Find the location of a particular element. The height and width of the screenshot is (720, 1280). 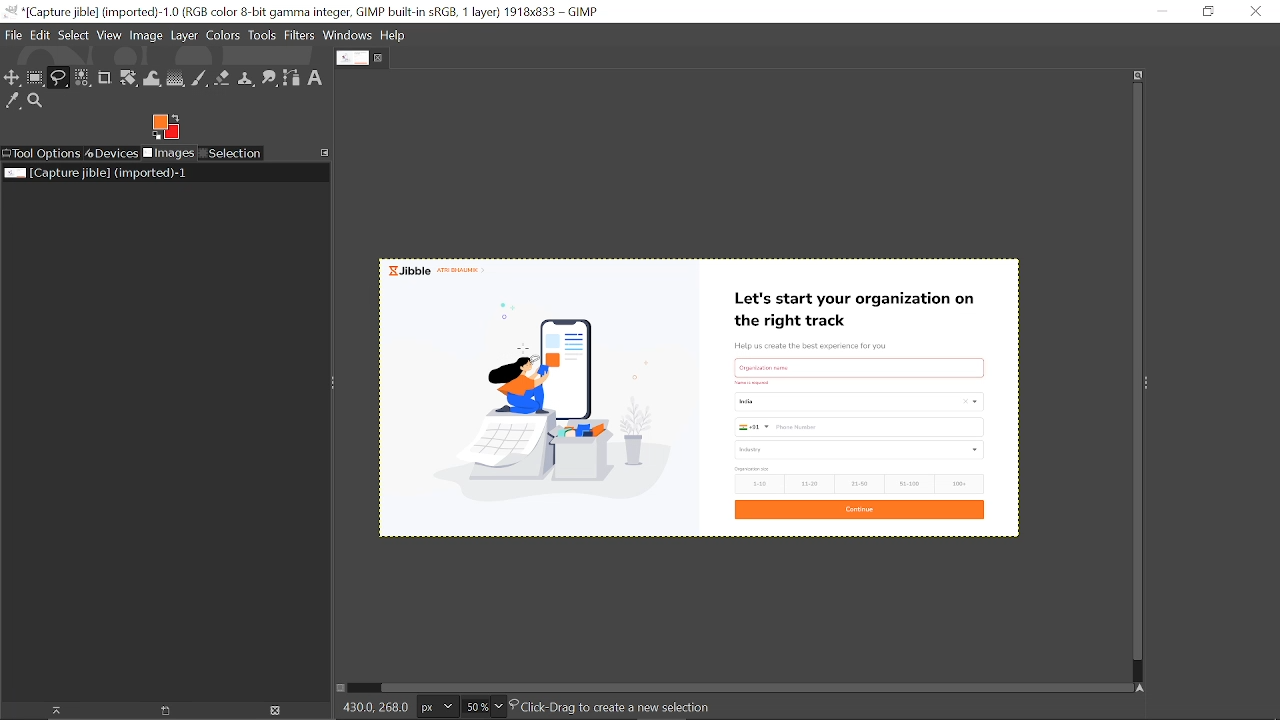

Text tool is located at coordinates (316, 78).